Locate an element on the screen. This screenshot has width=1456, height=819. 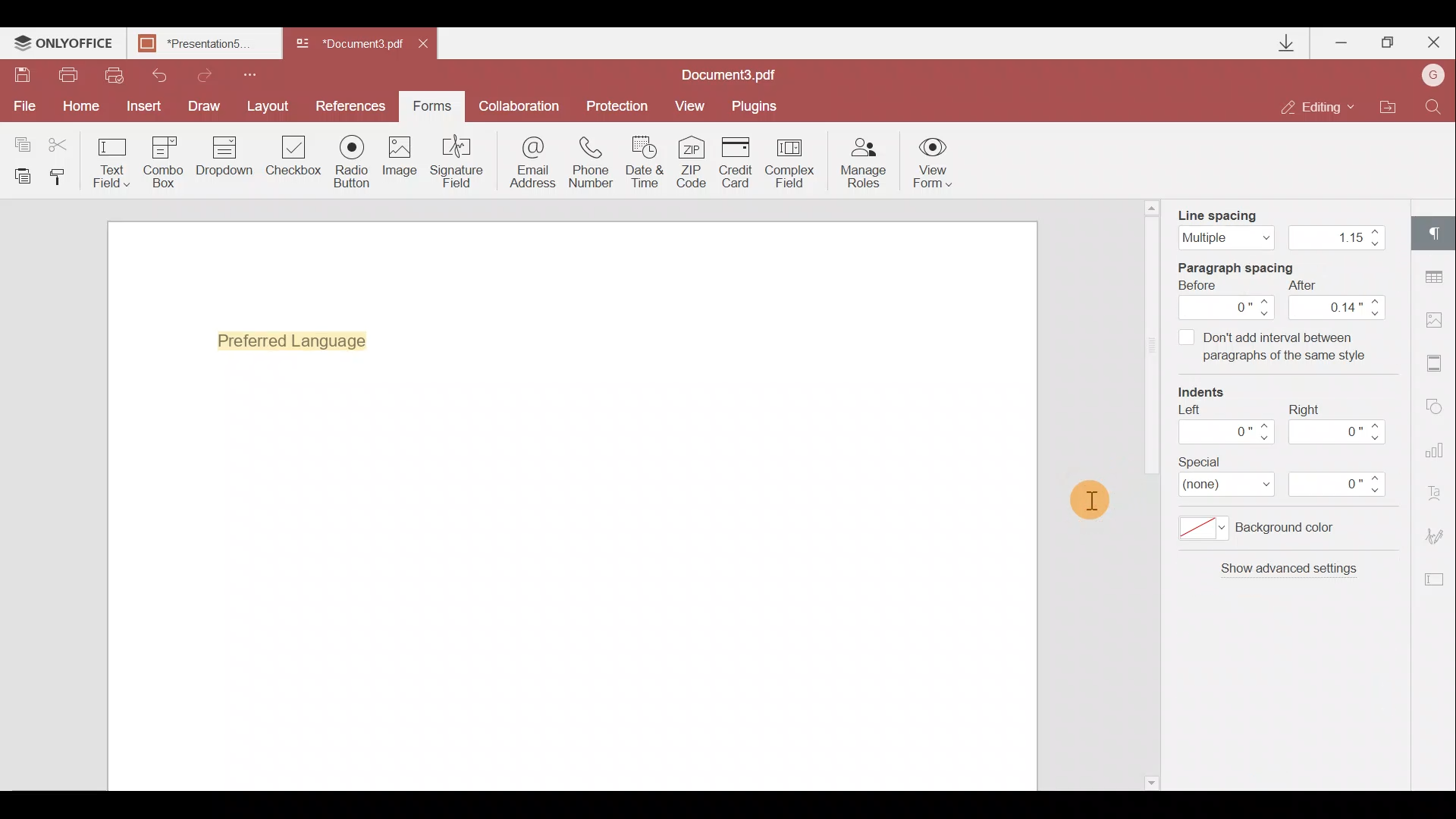
0 is located at coordinates (1338, 433).